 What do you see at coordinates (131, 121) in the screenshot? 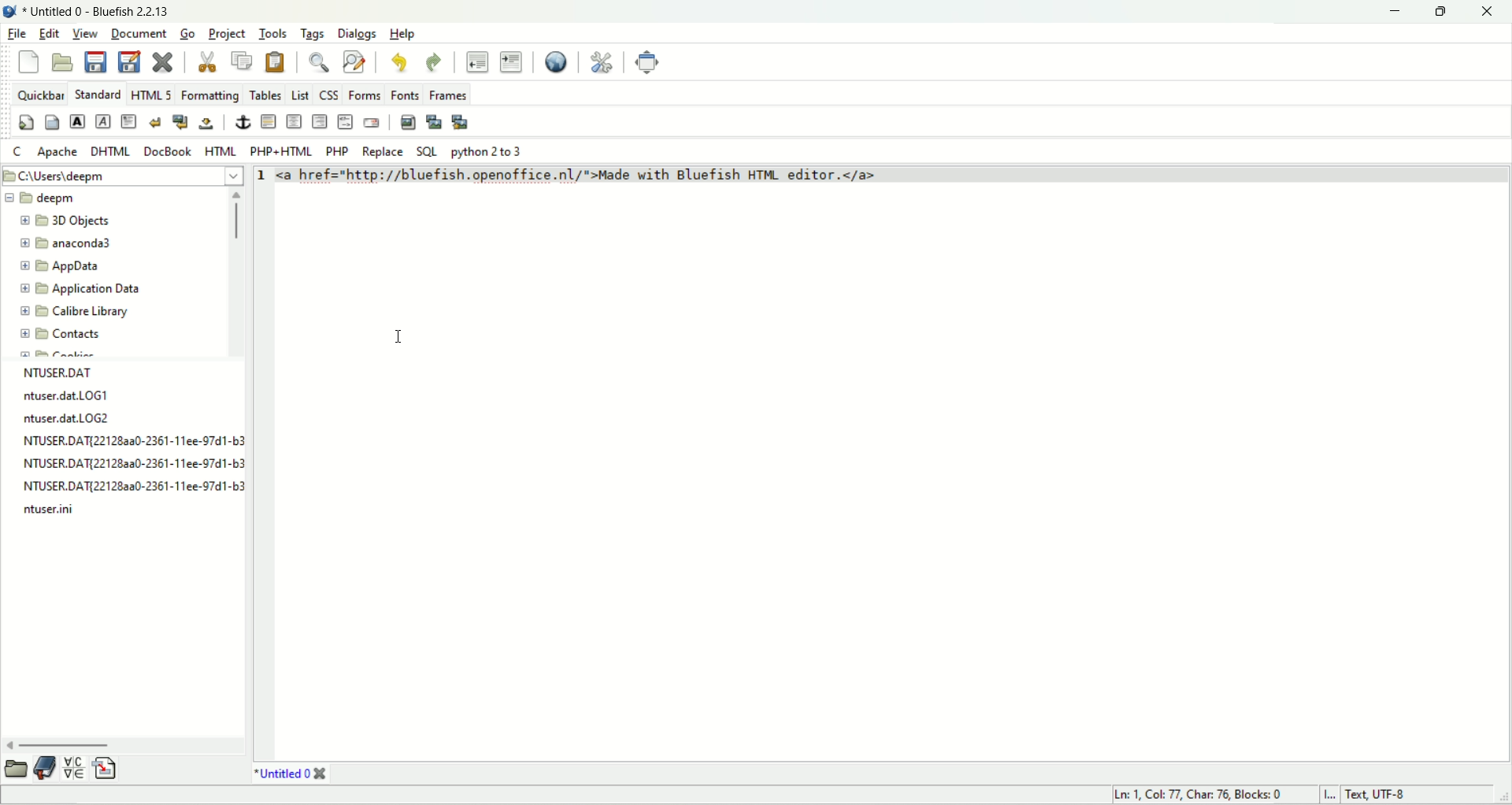
I see `paragraph` at bounding box center [131, 121].